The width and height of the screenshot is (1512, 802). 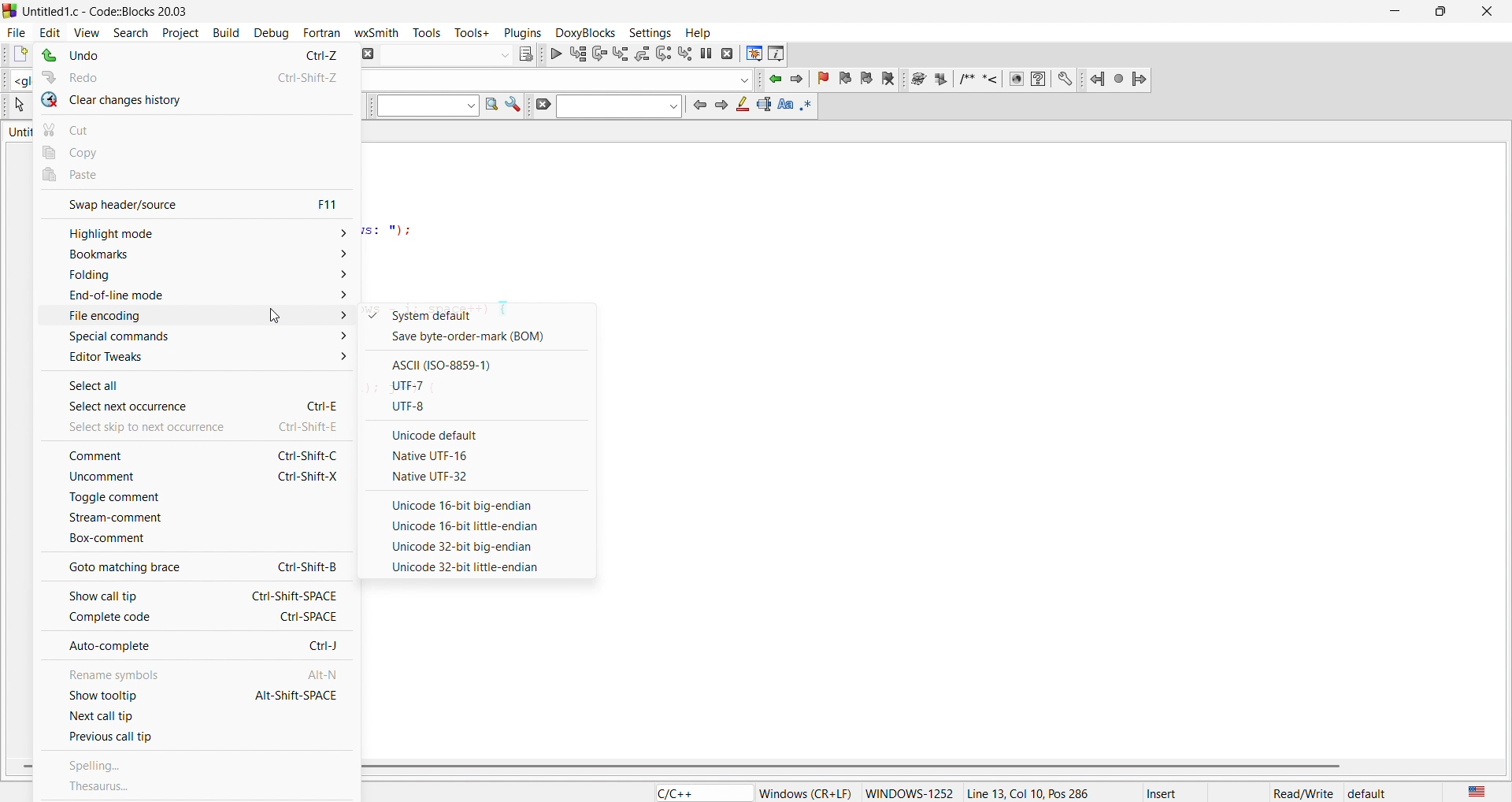 I want to click on step into, so click(x=621, y=54).